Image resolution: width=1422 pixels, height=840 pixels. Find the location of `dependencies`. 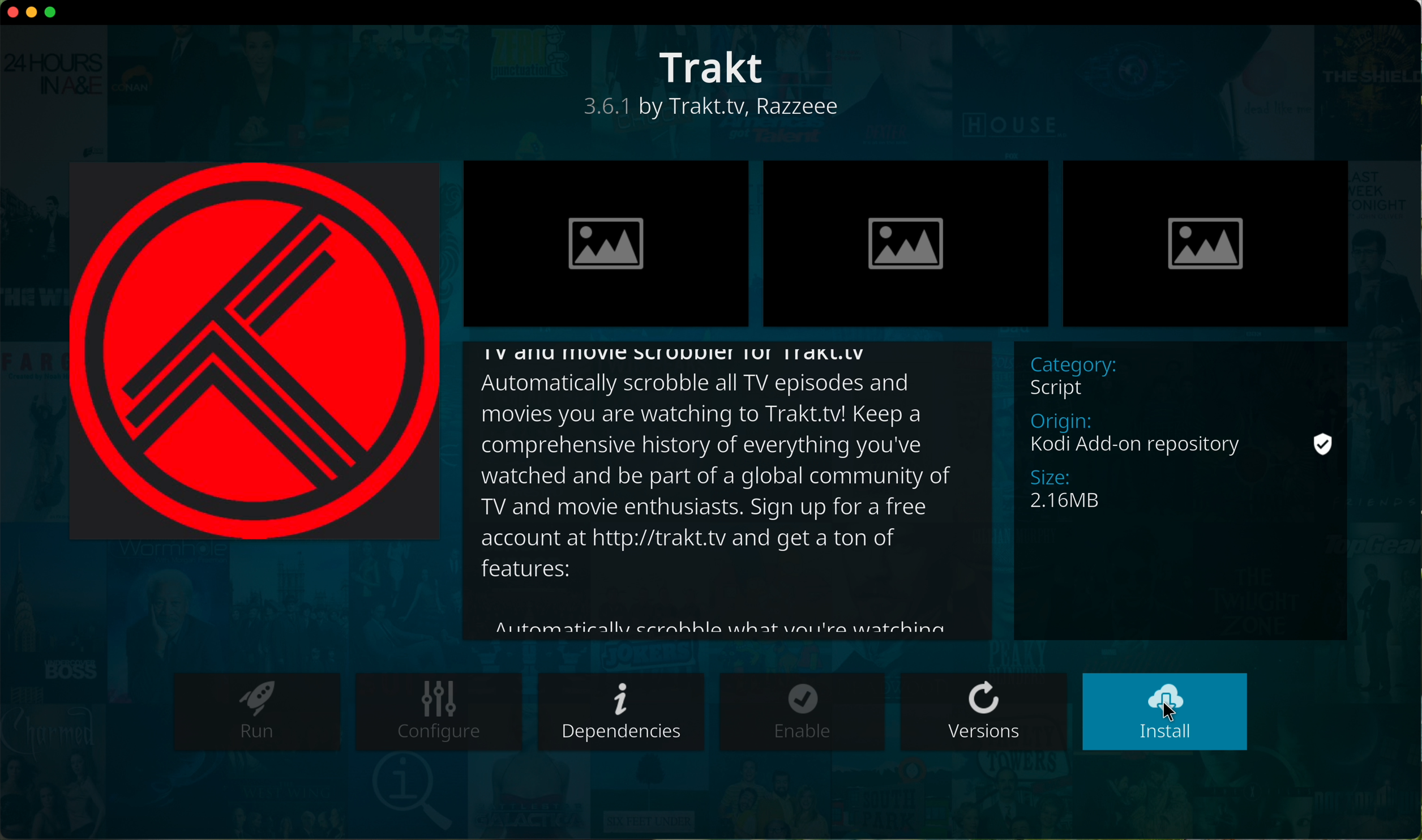

dependencies is located at coordinates (621, 712).